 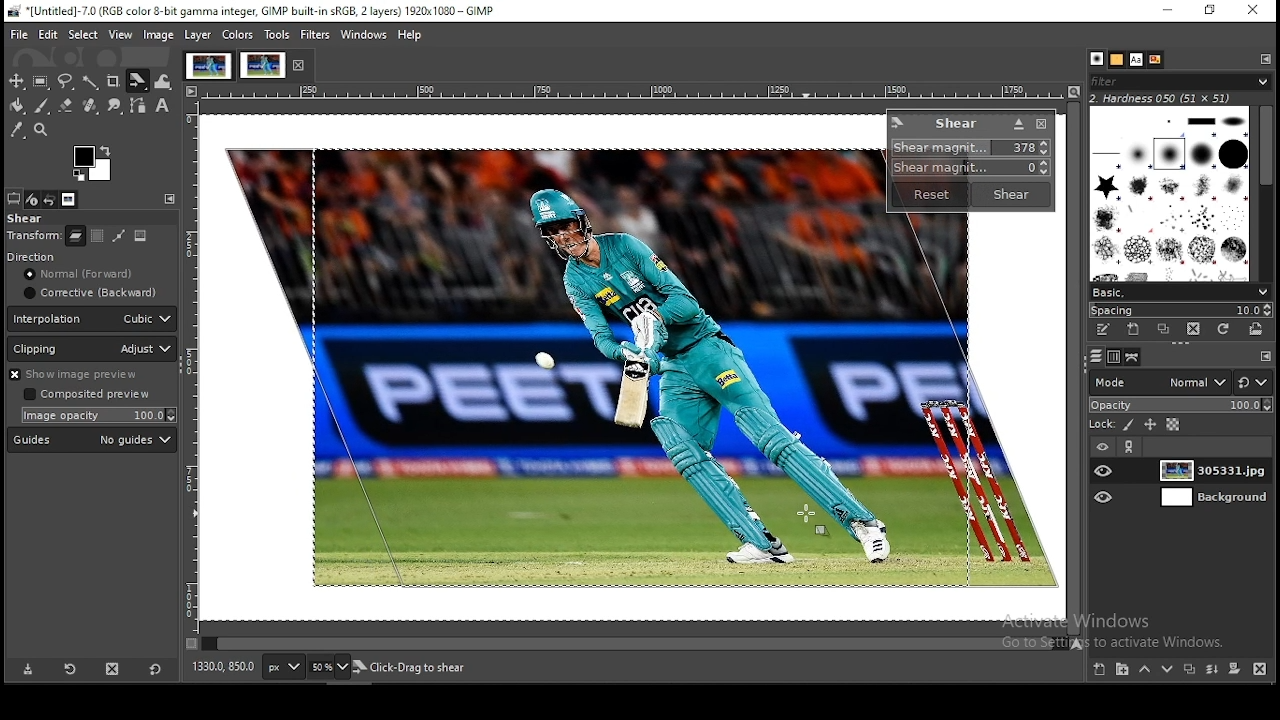 I want to click on units, so click(x=284, y=667).